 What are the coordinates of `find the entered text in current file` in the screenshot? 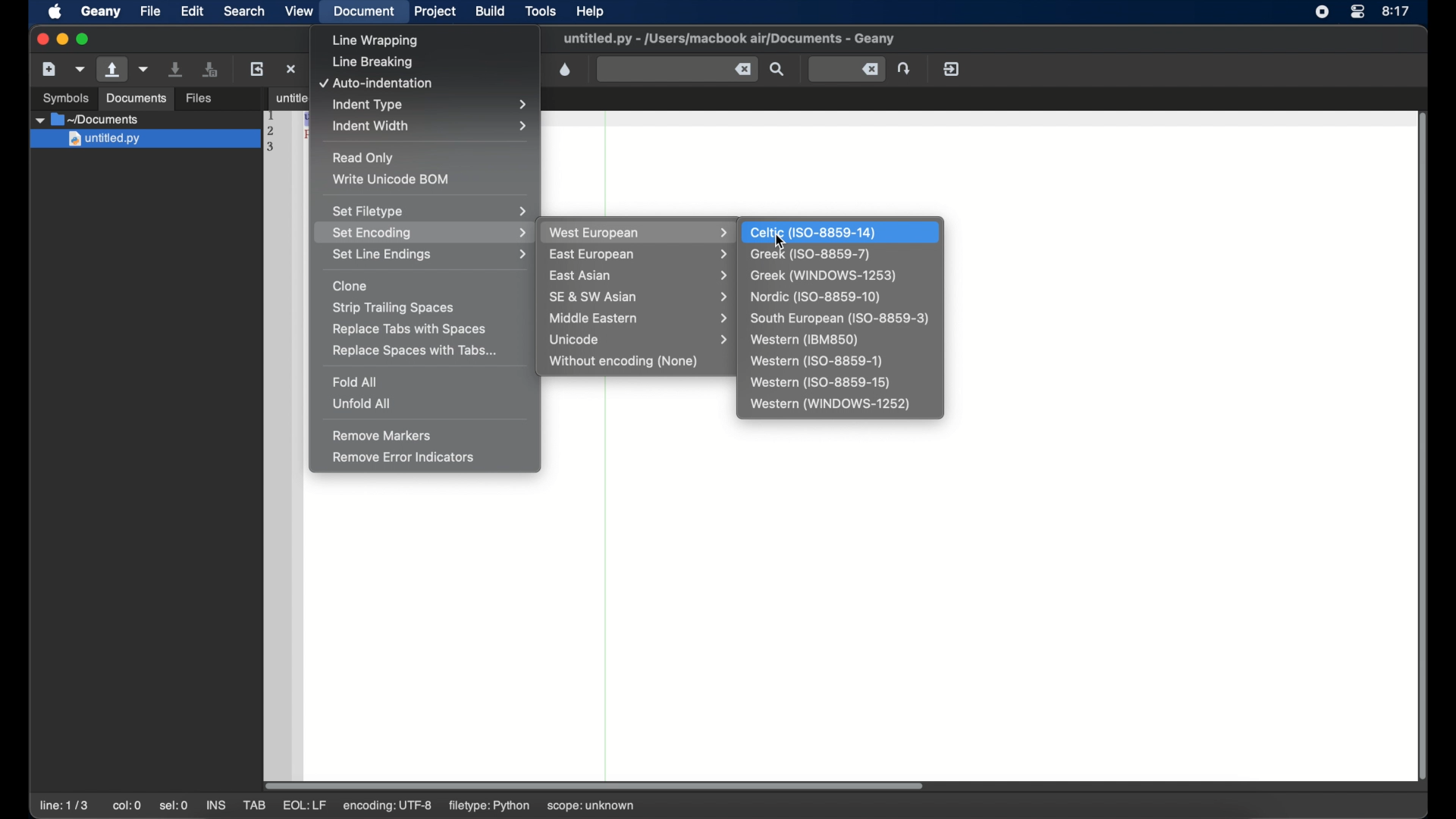 It's located at (677, 70).